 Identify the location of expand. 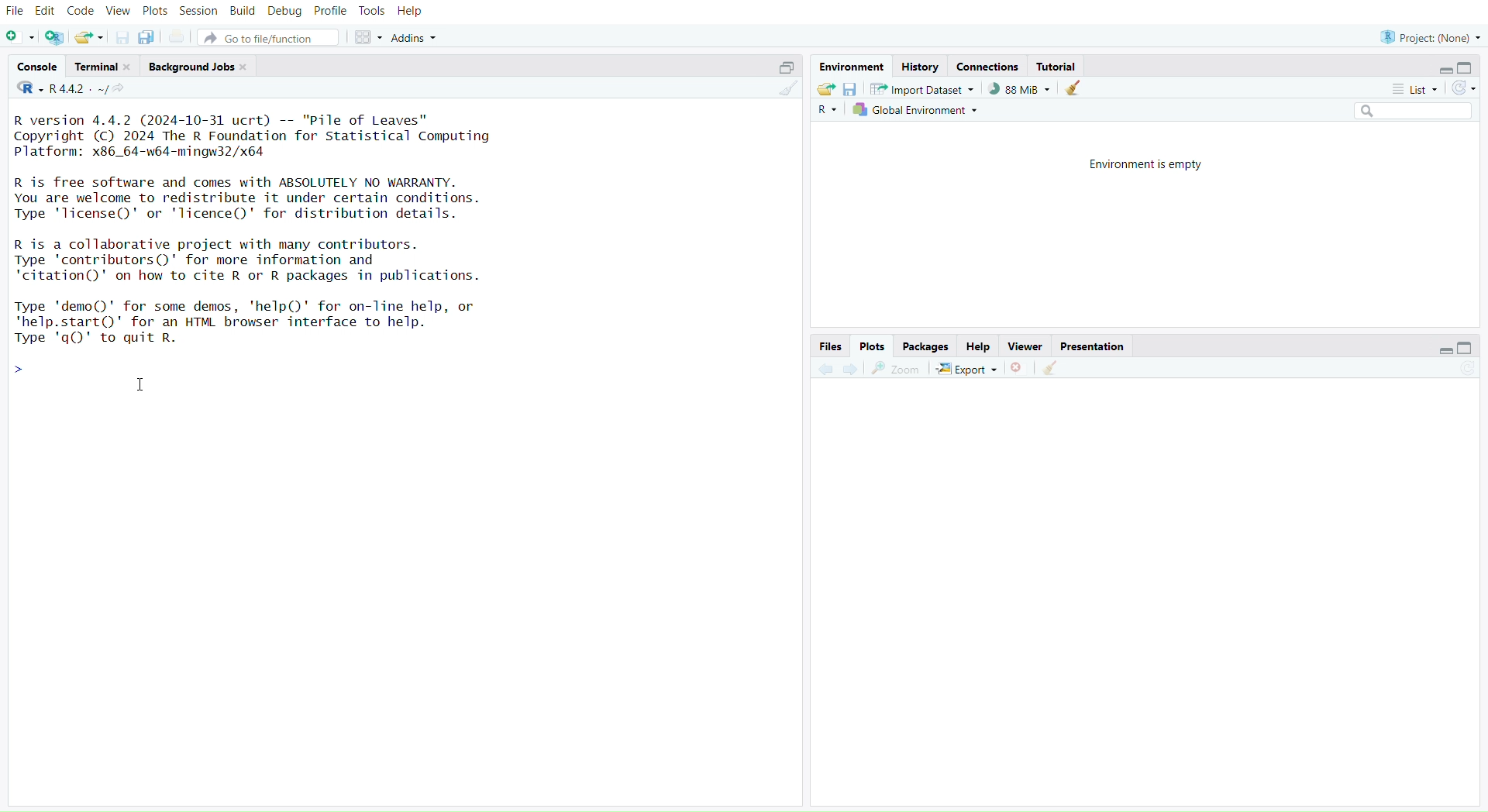
(782, 67).